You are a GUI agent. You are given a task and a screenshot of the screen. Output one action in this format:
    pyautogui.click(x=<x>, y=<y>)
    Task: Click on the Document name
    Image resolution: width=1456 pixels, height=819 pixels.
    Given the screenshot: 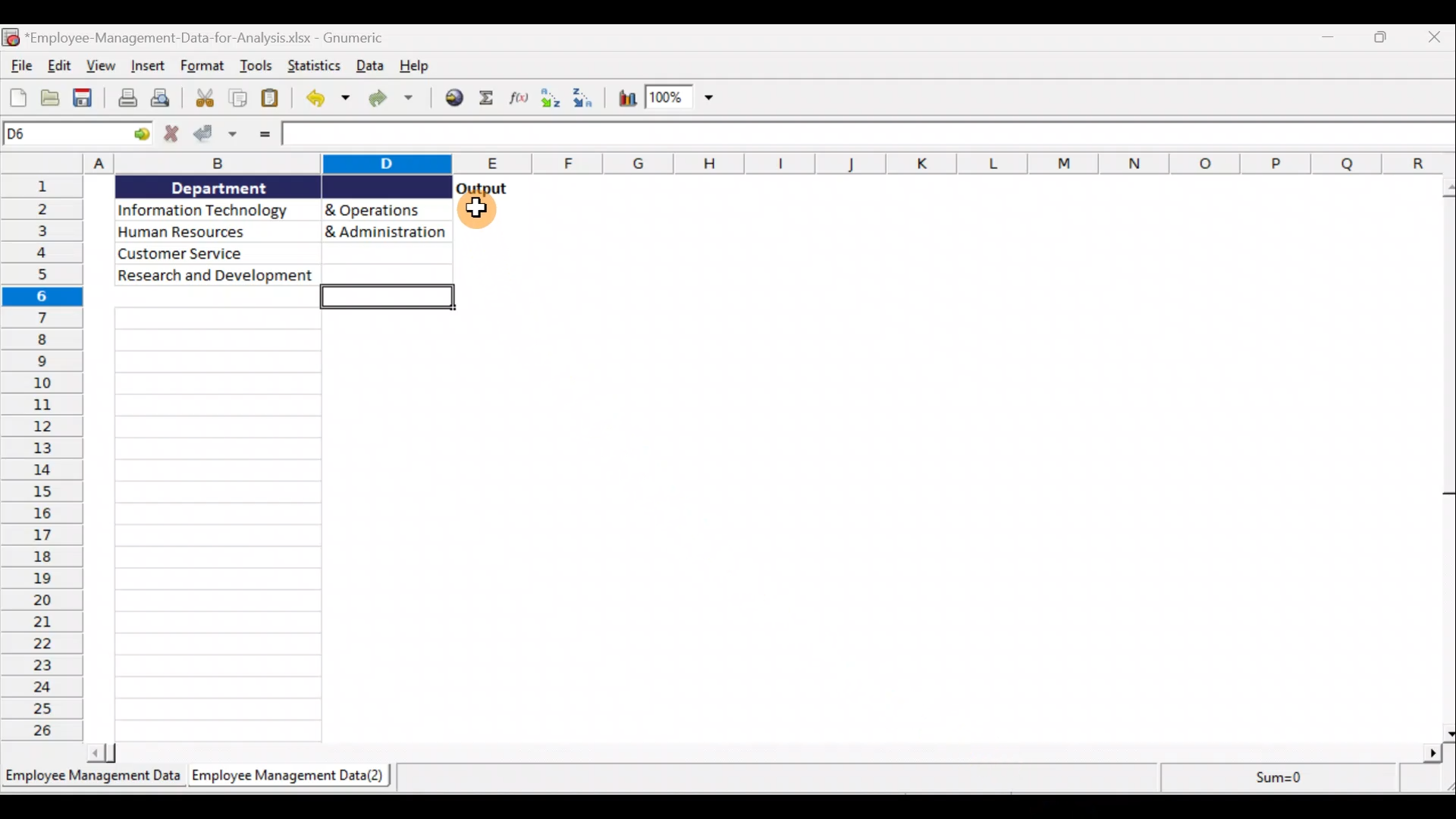 What is the action you would take?
    pyautogui.click(x=212, y=40)
    